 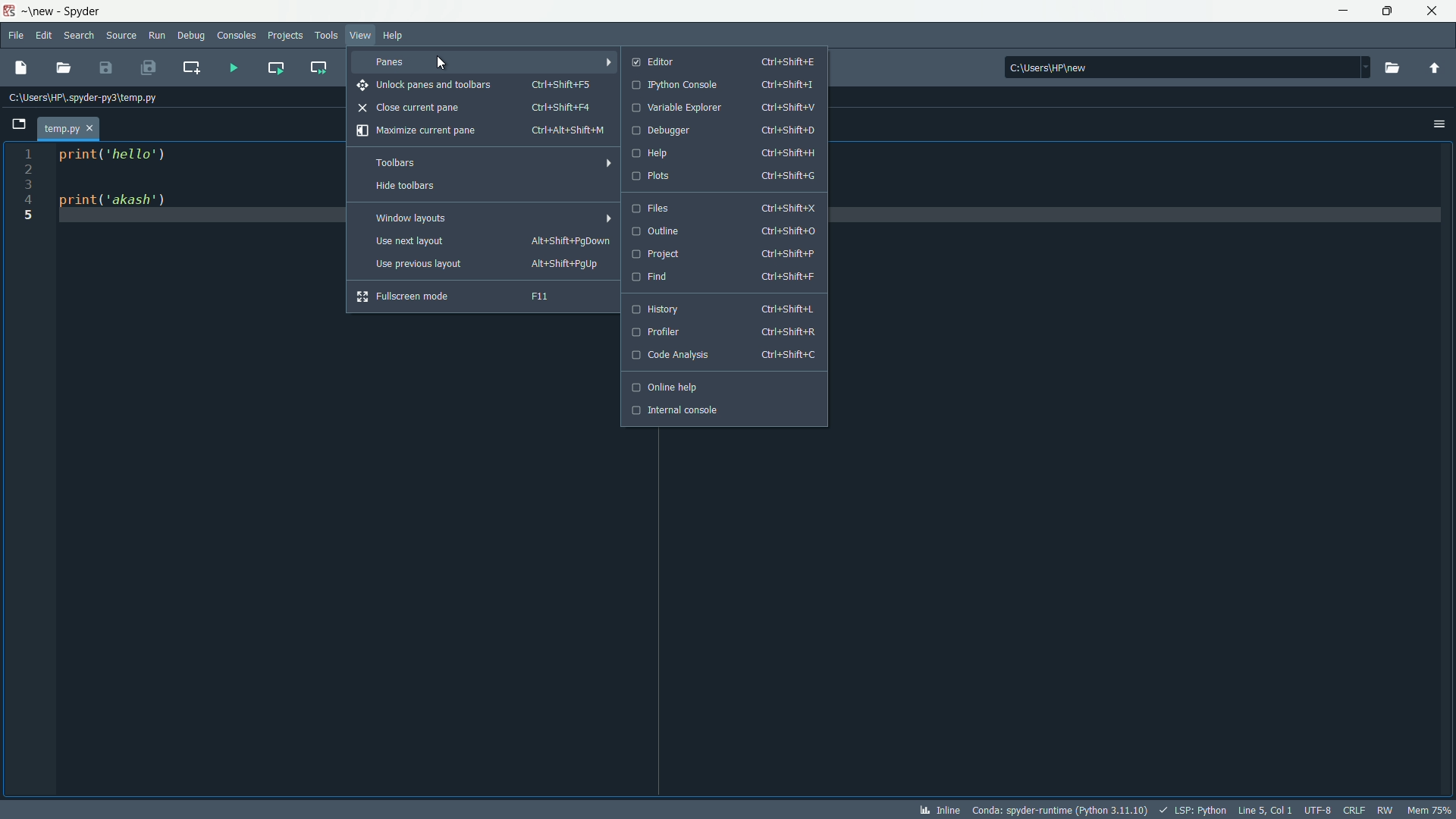 What do you see at coordinates (275, 66) in the screenshot?
I see `run current cell` at bounding box center [275, 66].